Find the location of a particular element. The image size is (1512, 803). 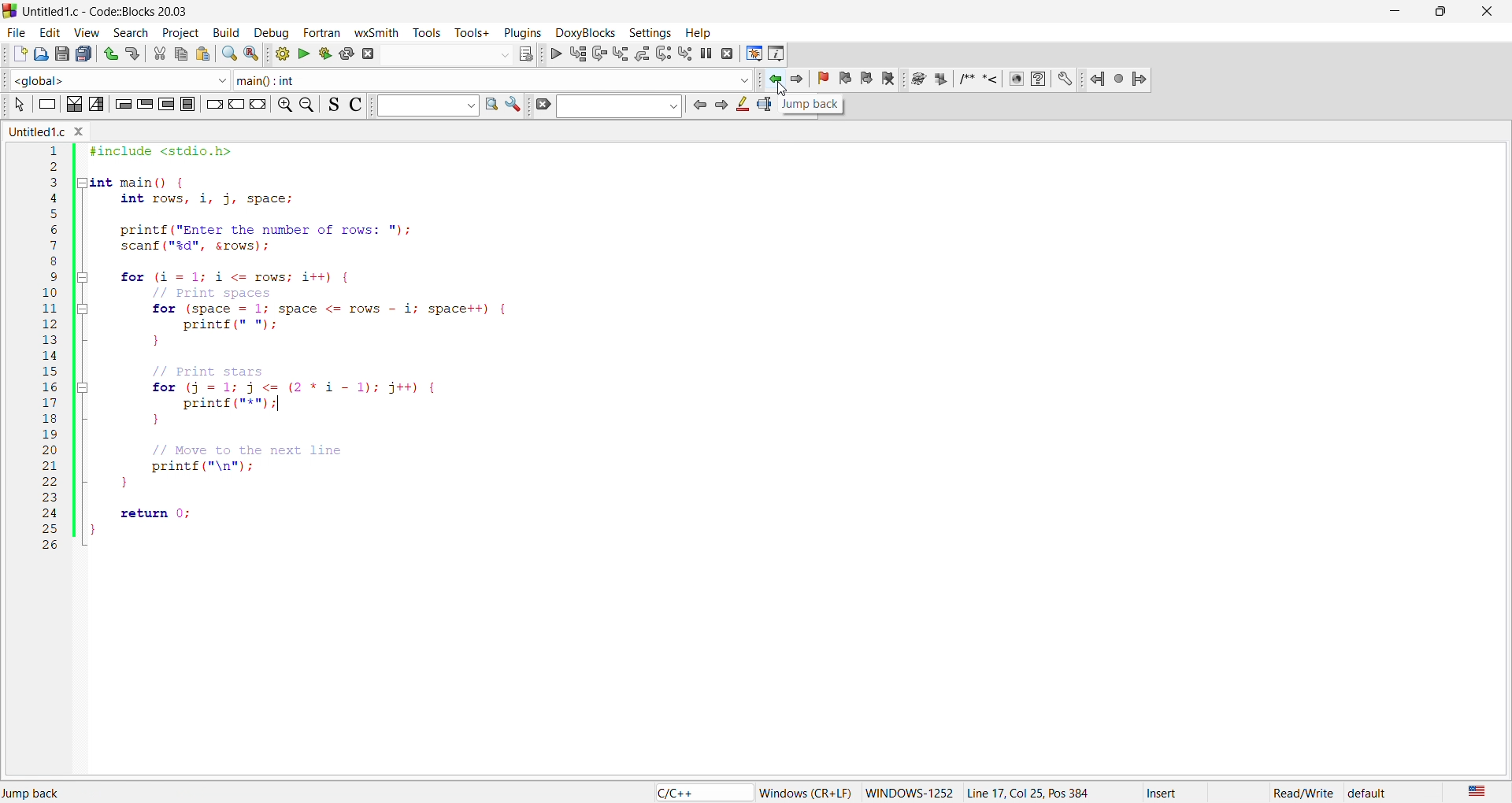

minimize is located at coordinates (1396, 11).